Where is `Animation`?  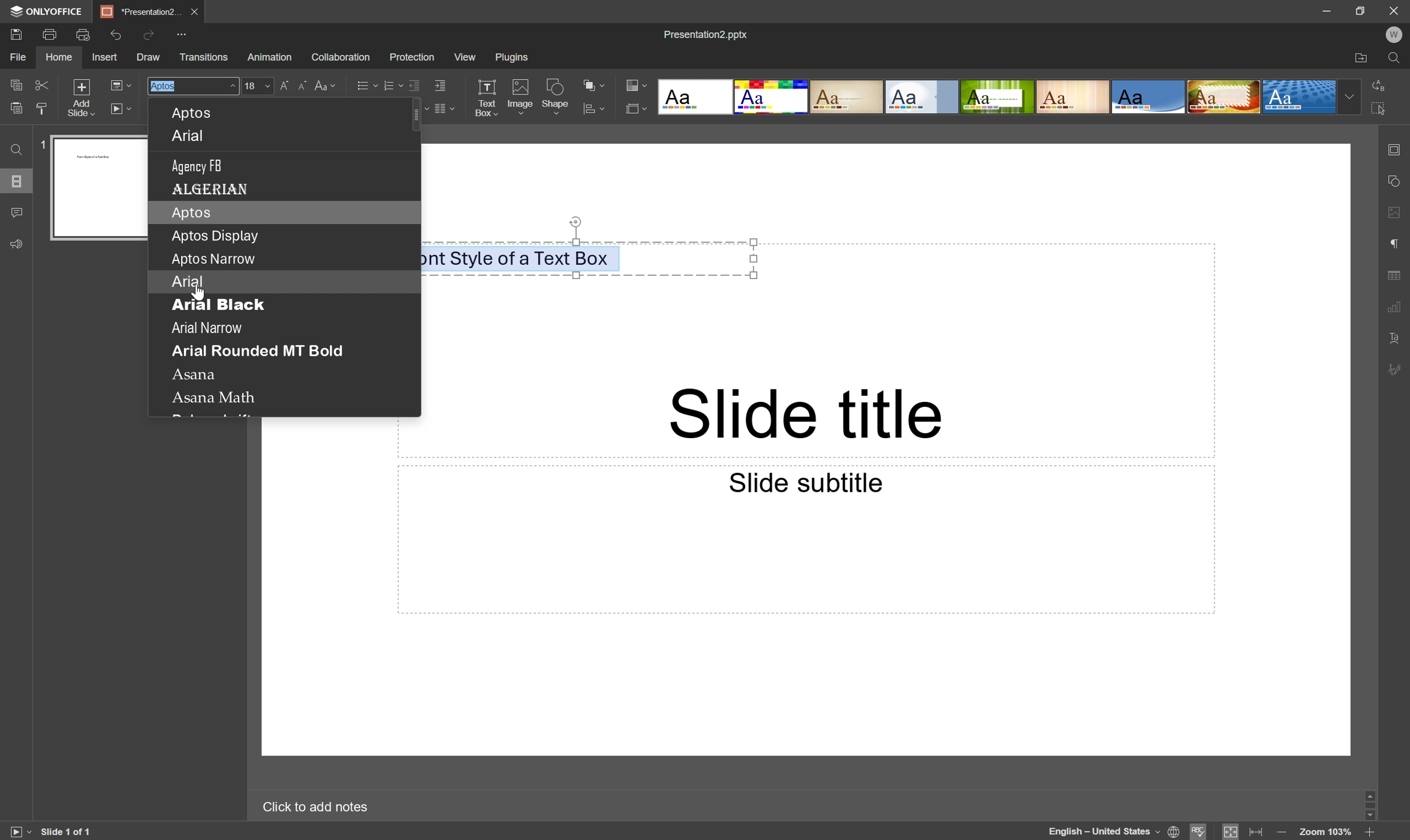
Animation is located at coordinates (270, 57).